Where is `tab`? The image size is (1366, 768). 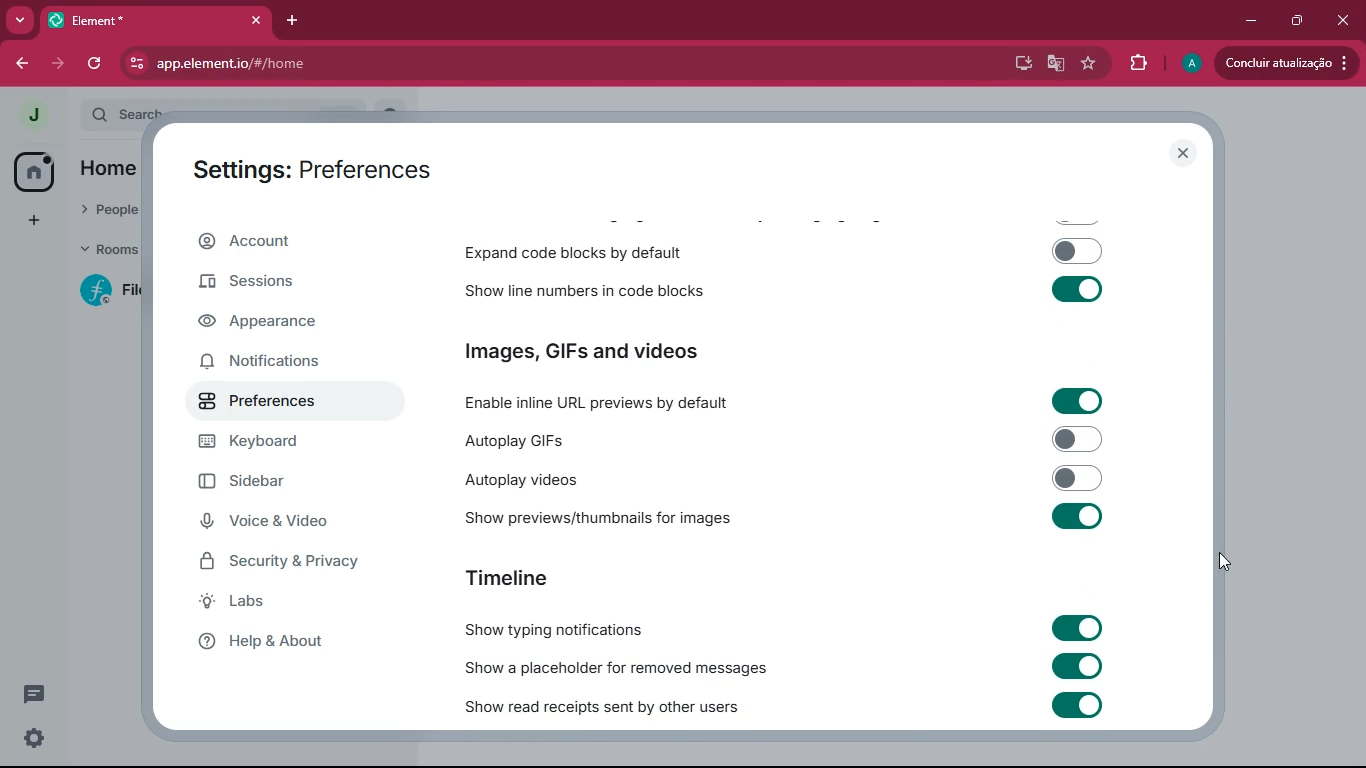 tab is located at coordinates (134, 21).